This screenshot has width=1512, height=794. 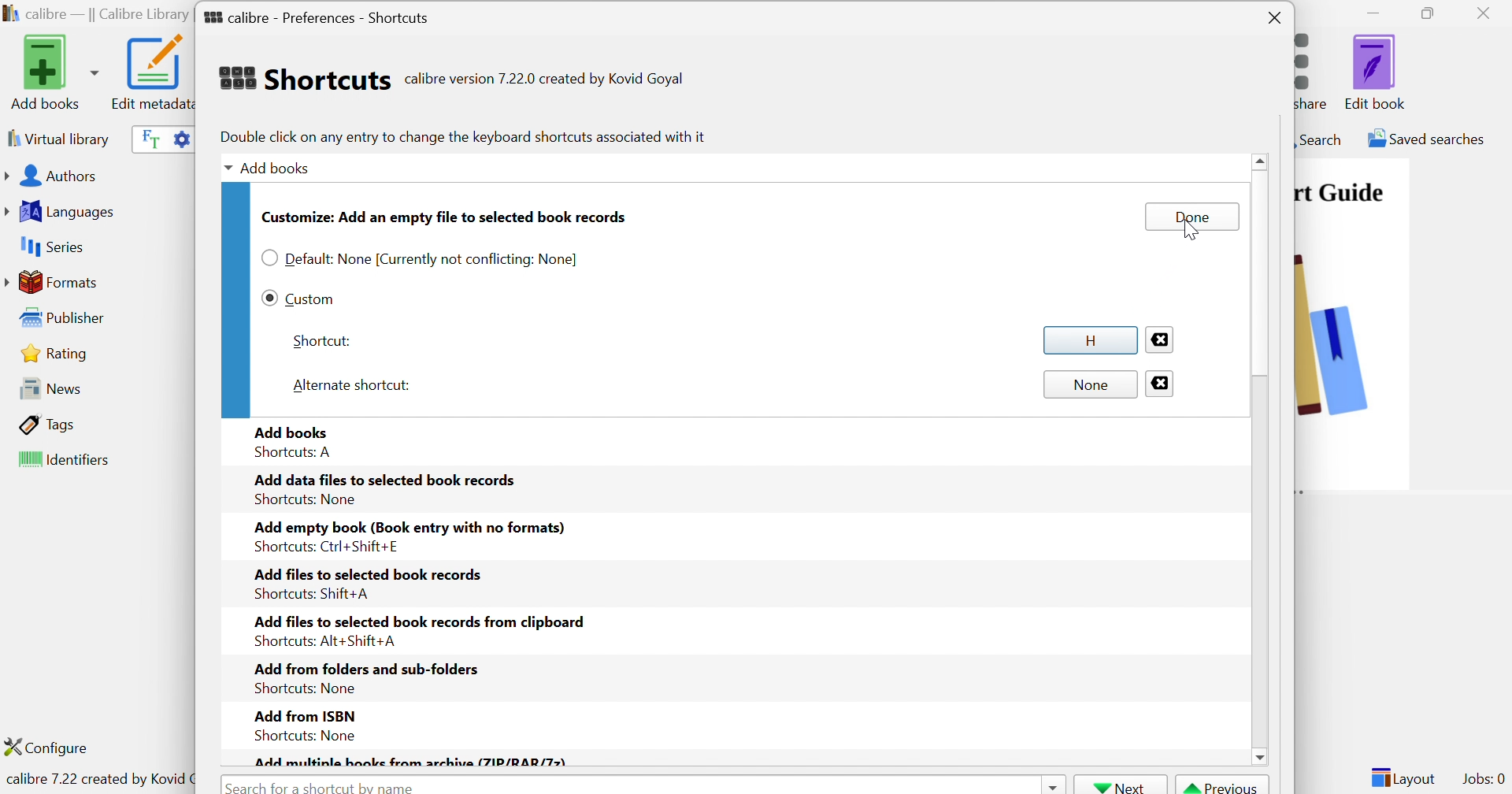 I want to click on Authors, so click(x=54, y=177).